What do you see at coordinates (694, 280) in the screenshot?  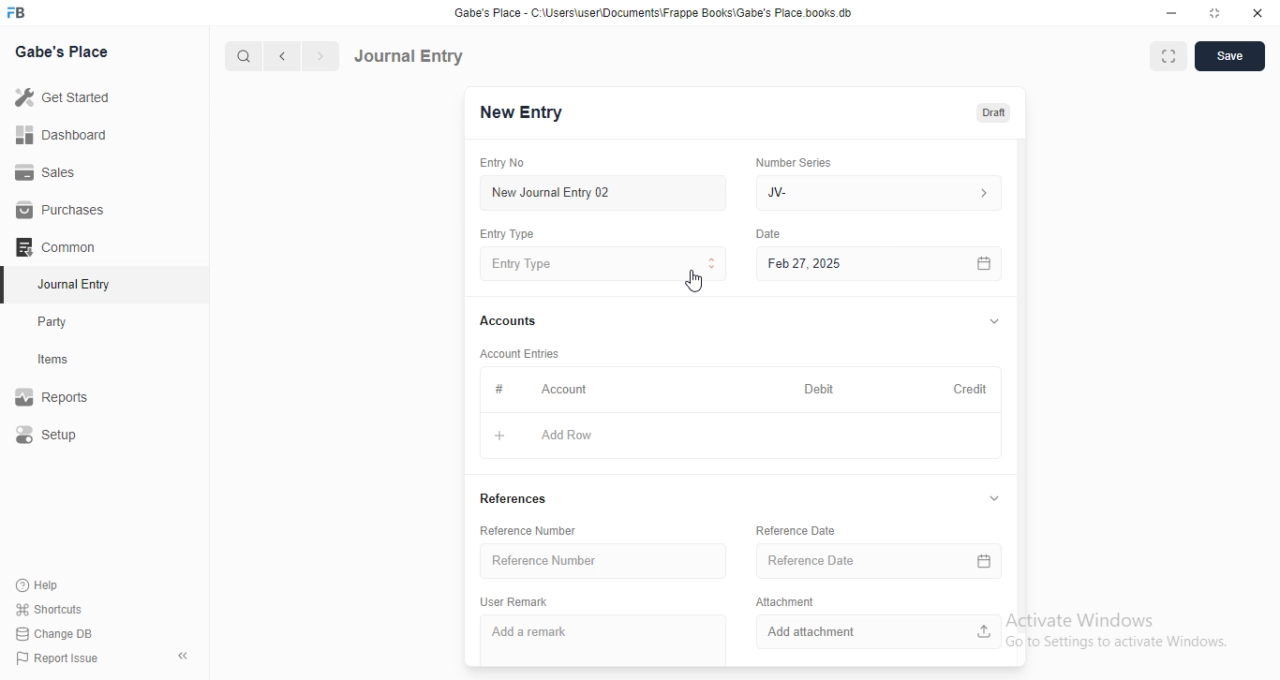 I see `cursor` at bounding box center [694, 280].